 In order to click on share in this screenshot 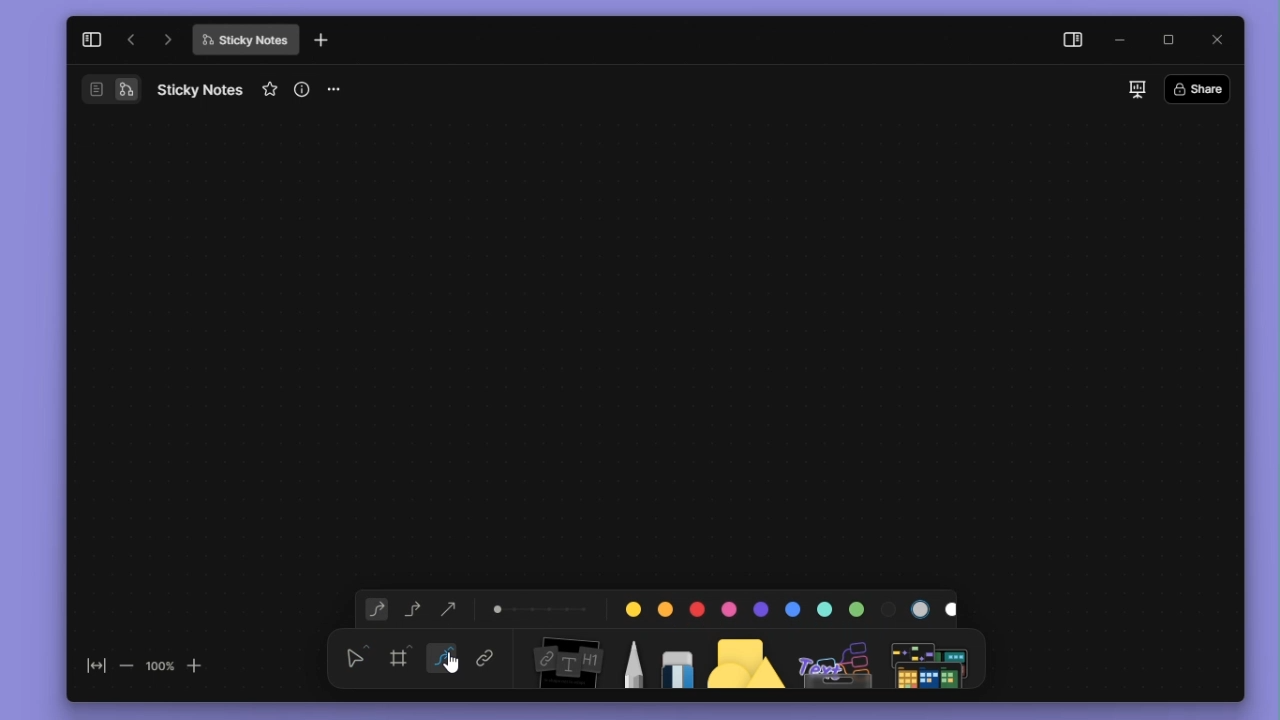, I will do `click(1203, 88)`.